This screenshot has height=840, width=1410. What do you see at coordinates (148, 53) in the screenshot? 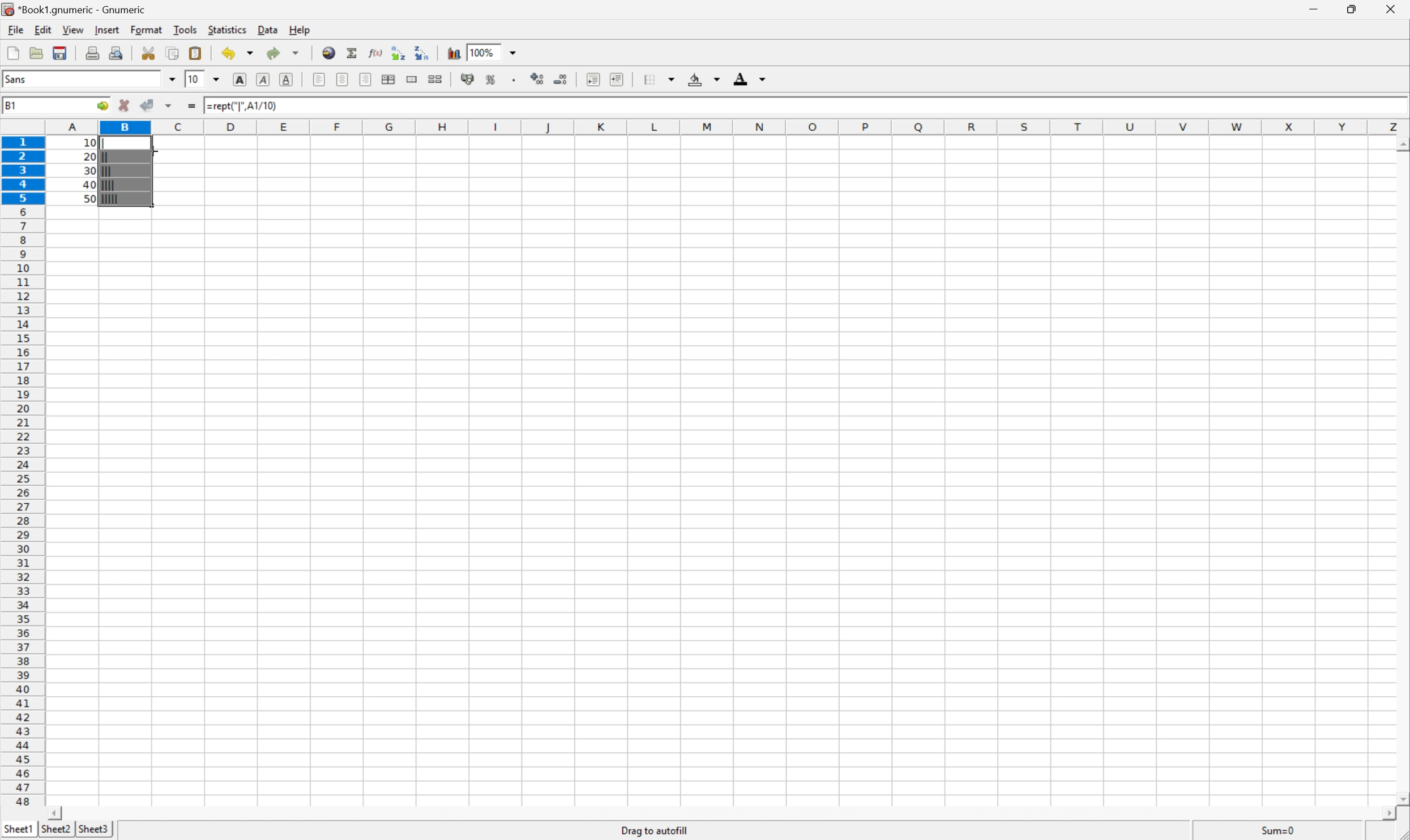
I see `Cut selection` at bounding box center [148, 53].